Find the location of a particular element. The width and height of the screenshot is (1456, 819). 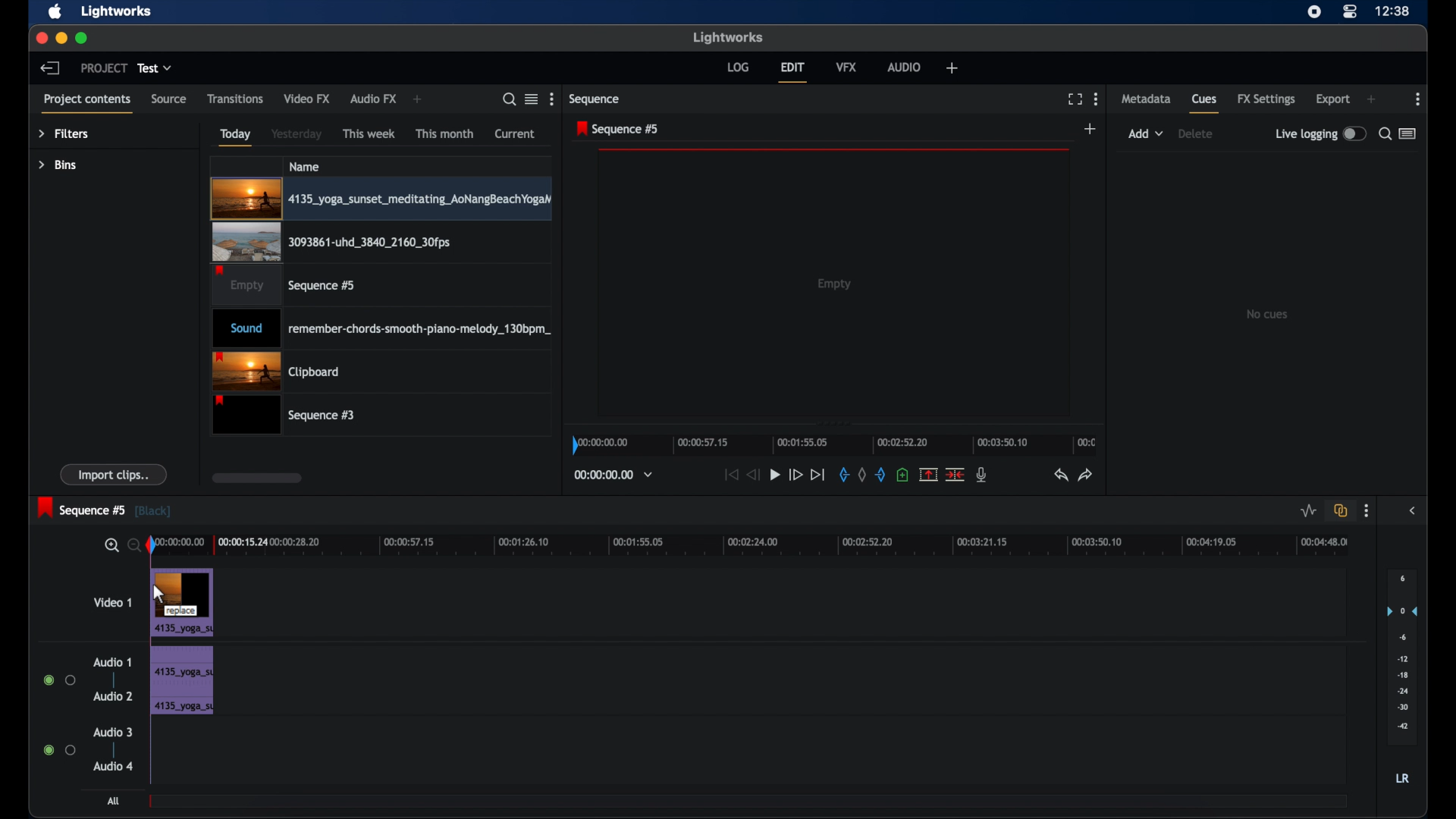

back is located at coordinates (52, 68).